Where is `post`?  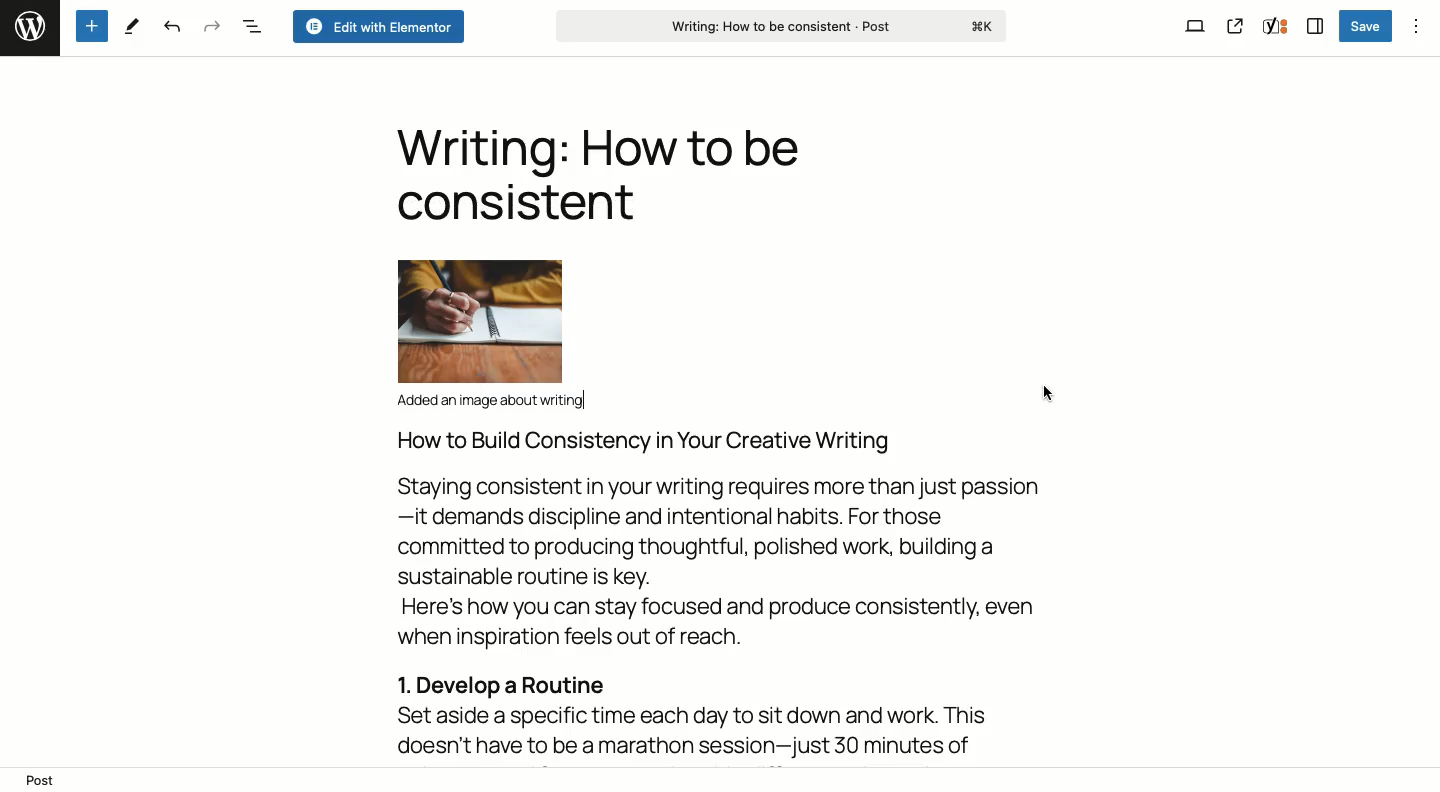
post is located at coordinates (42, 781).